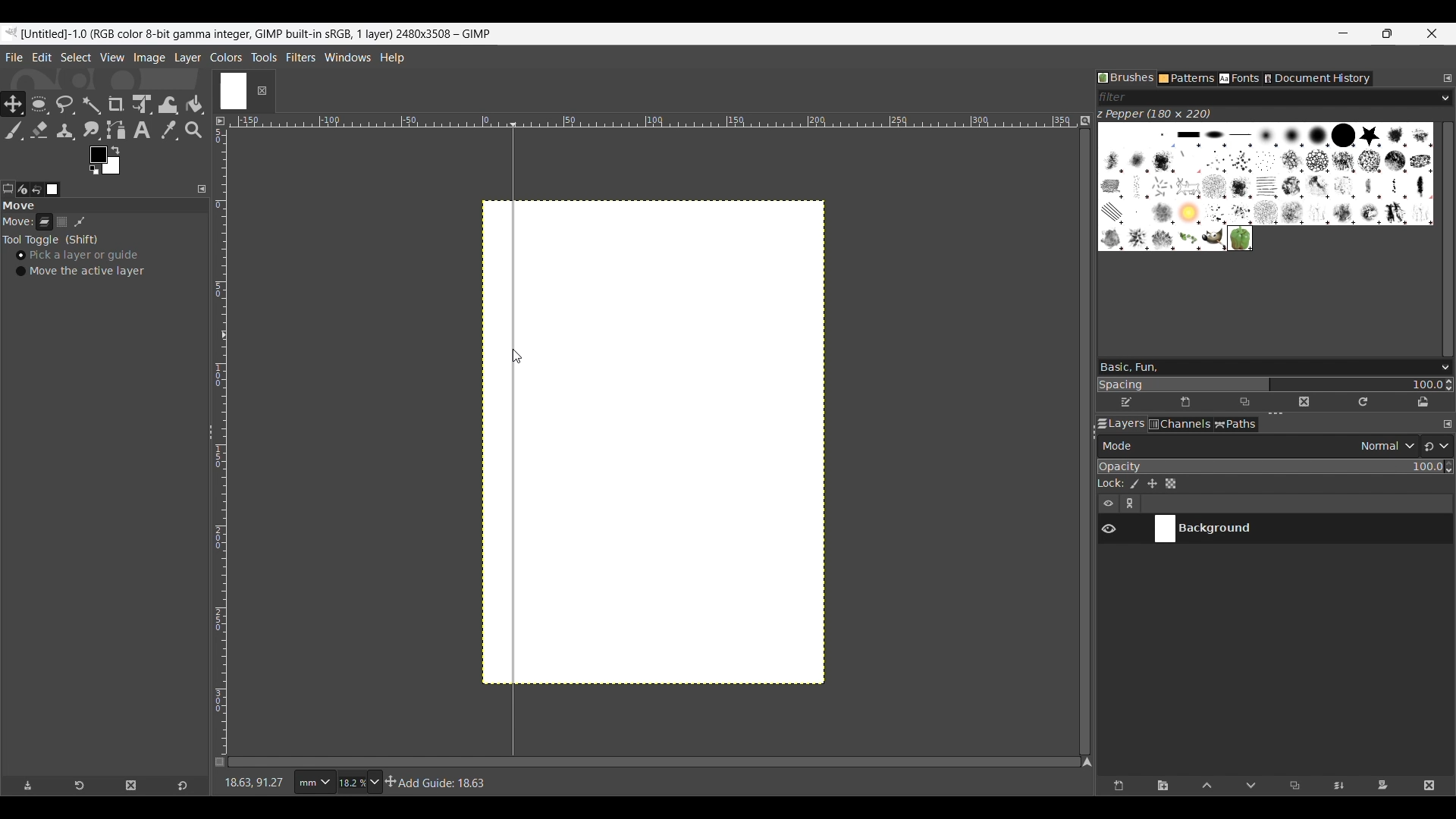 The height and width of the screenshot is (819, 1456). Describe the element at coordinates (195, 130) in the screenshot. I see `Zoom tool` at that location.